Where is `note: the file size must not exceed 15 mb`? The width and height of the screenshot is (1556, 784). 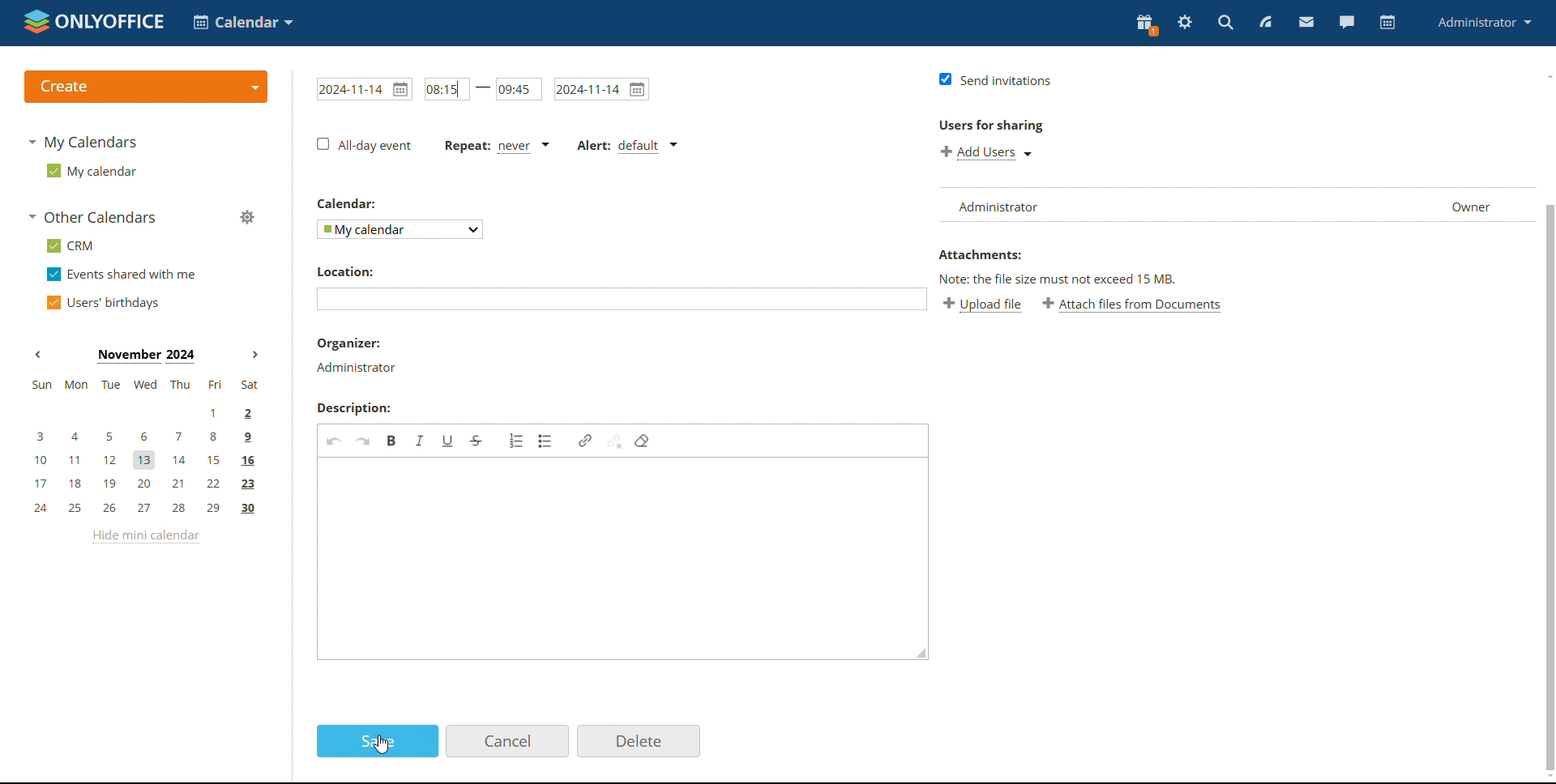 note: the file size must not exceed 15 mb is located at coordinates (1055, 279).